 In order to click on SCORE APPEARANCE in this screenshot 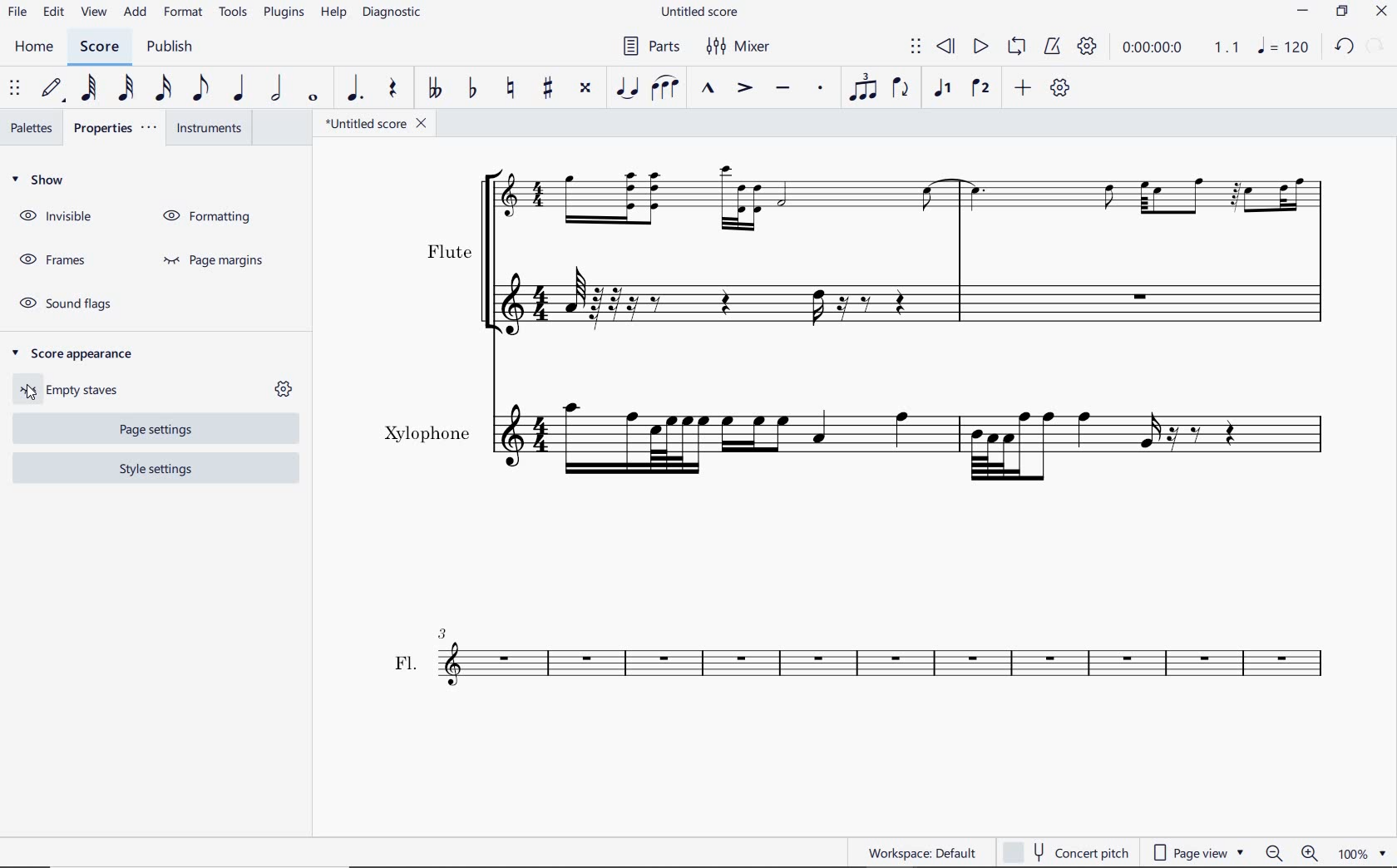, I will do `click(72, 349)`.